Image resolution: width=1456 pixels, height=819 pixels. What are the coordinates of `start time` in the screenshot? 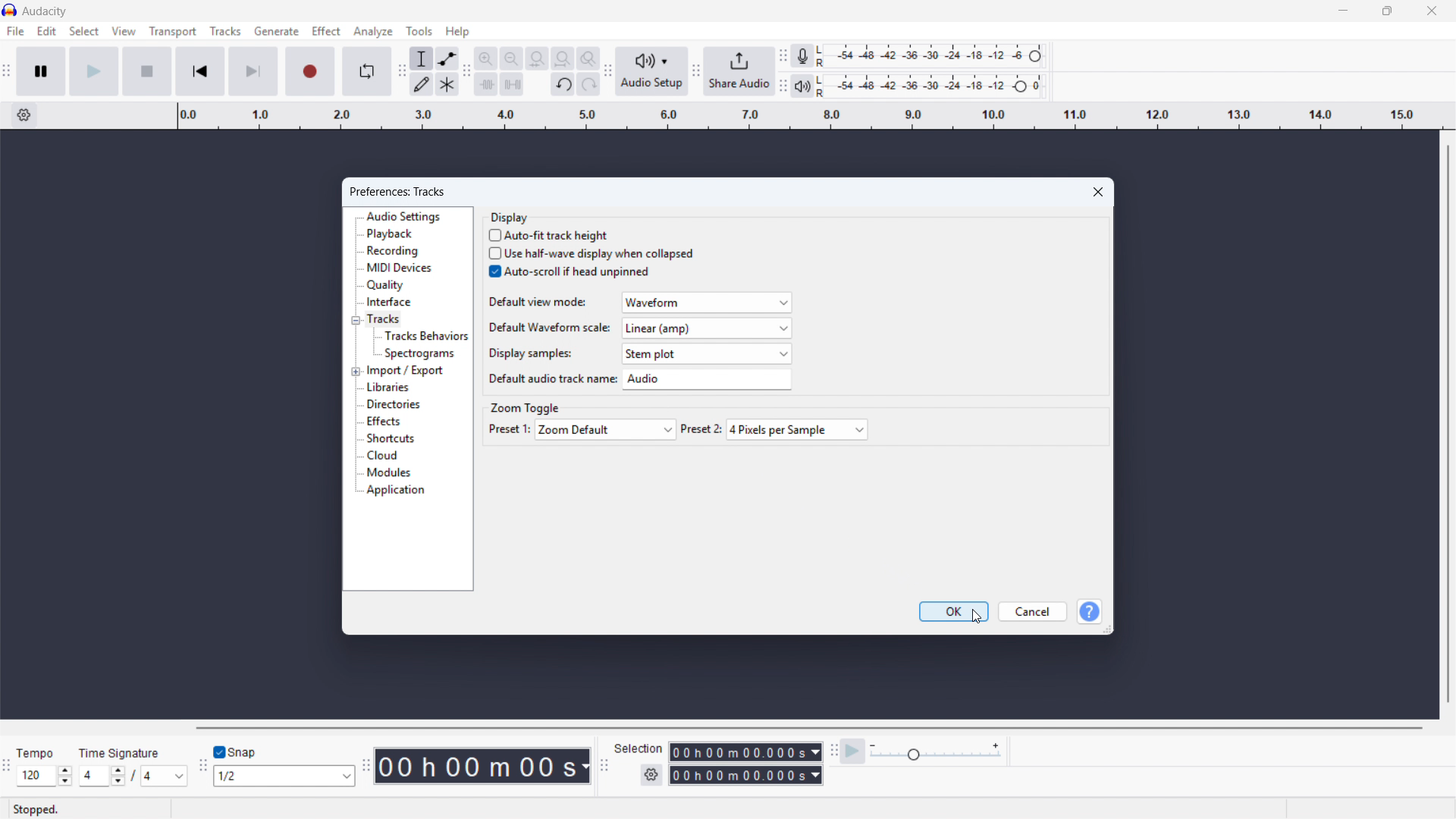 It's located at (719, 752).